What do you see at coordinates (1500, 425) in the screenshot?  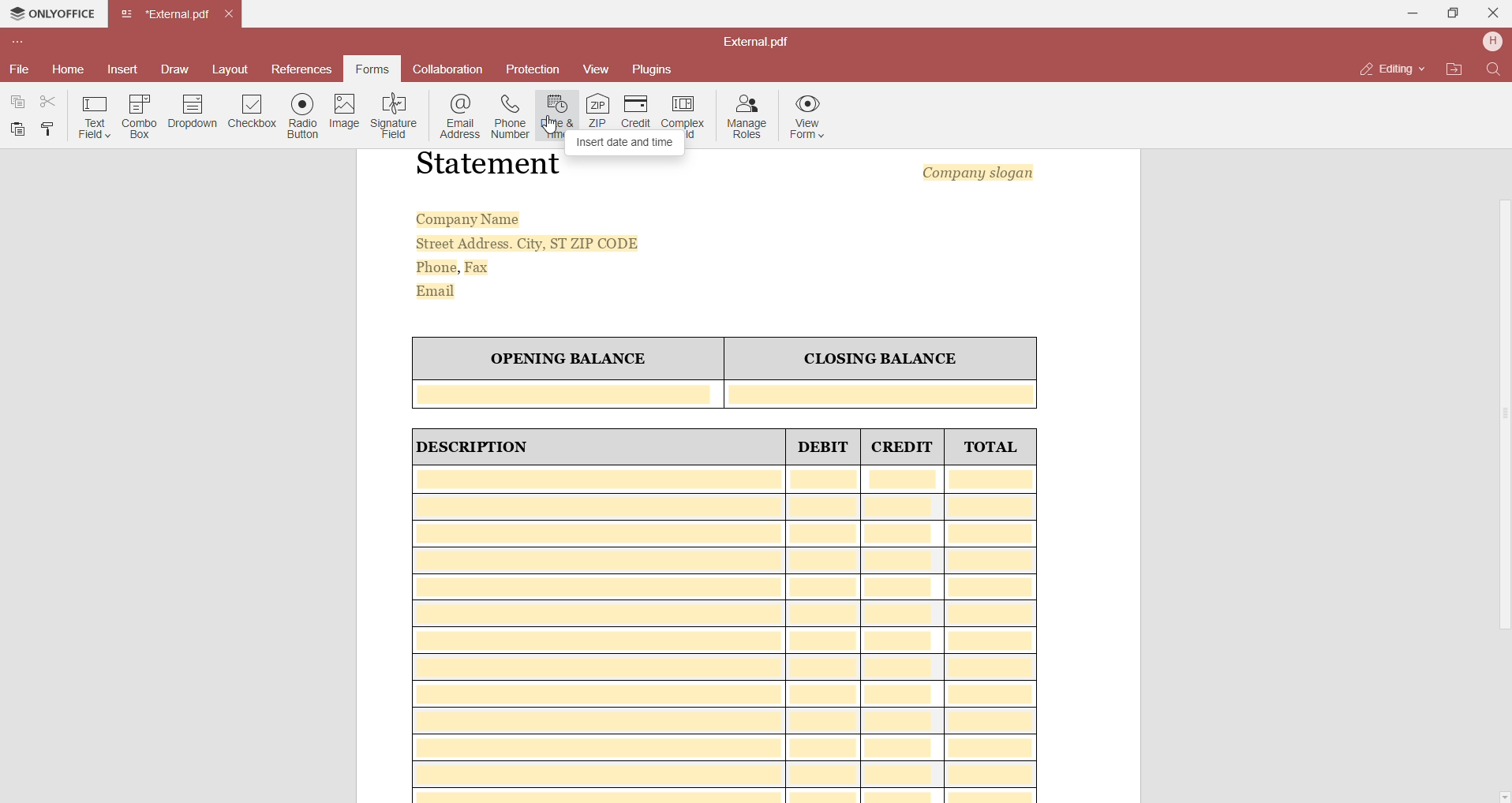 I see `Scroll Bar` at bounding box center [1500, 425].